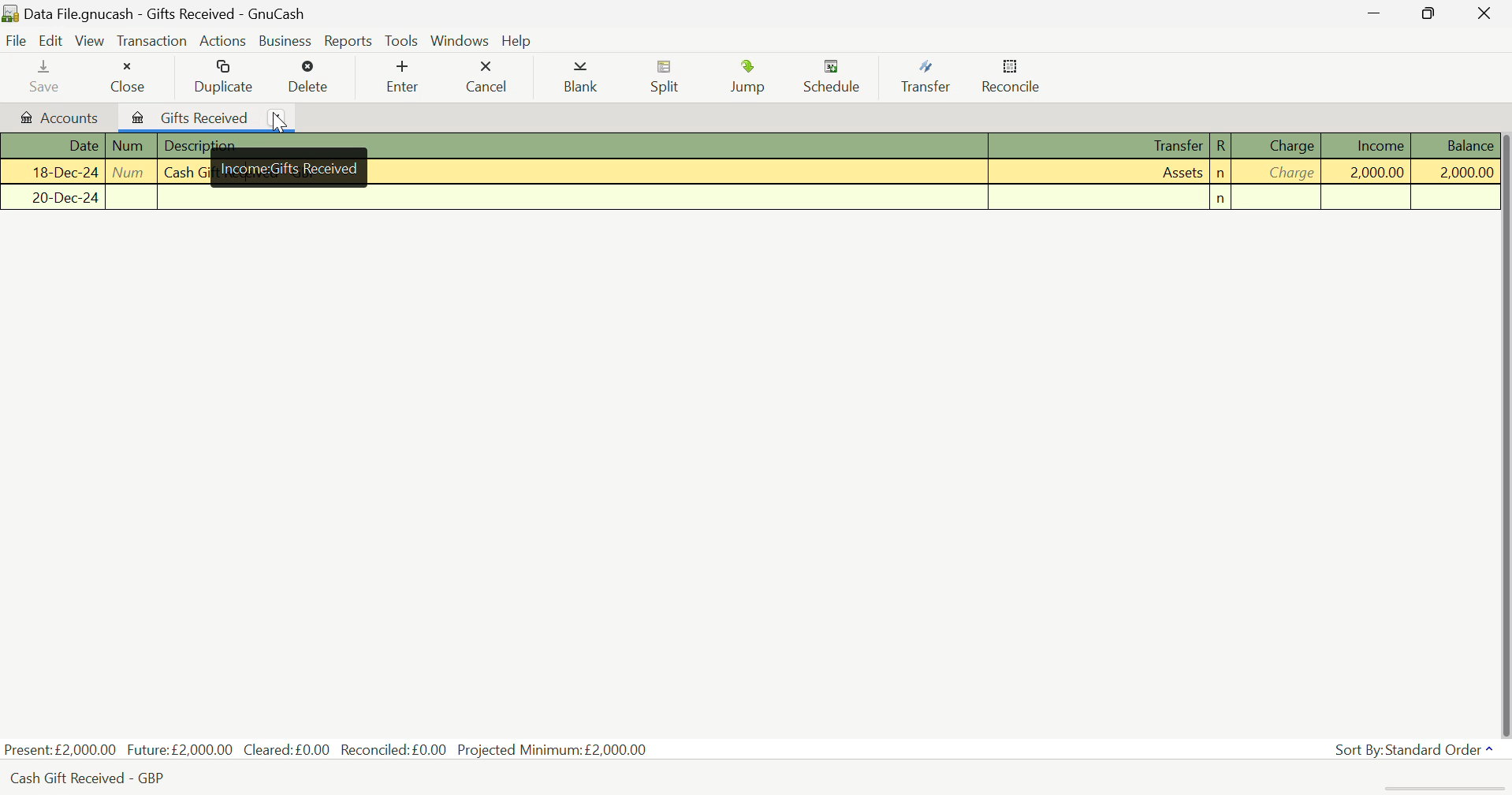 The image size is (1512, 795). I want to click on Balance, so click(1454, 145).